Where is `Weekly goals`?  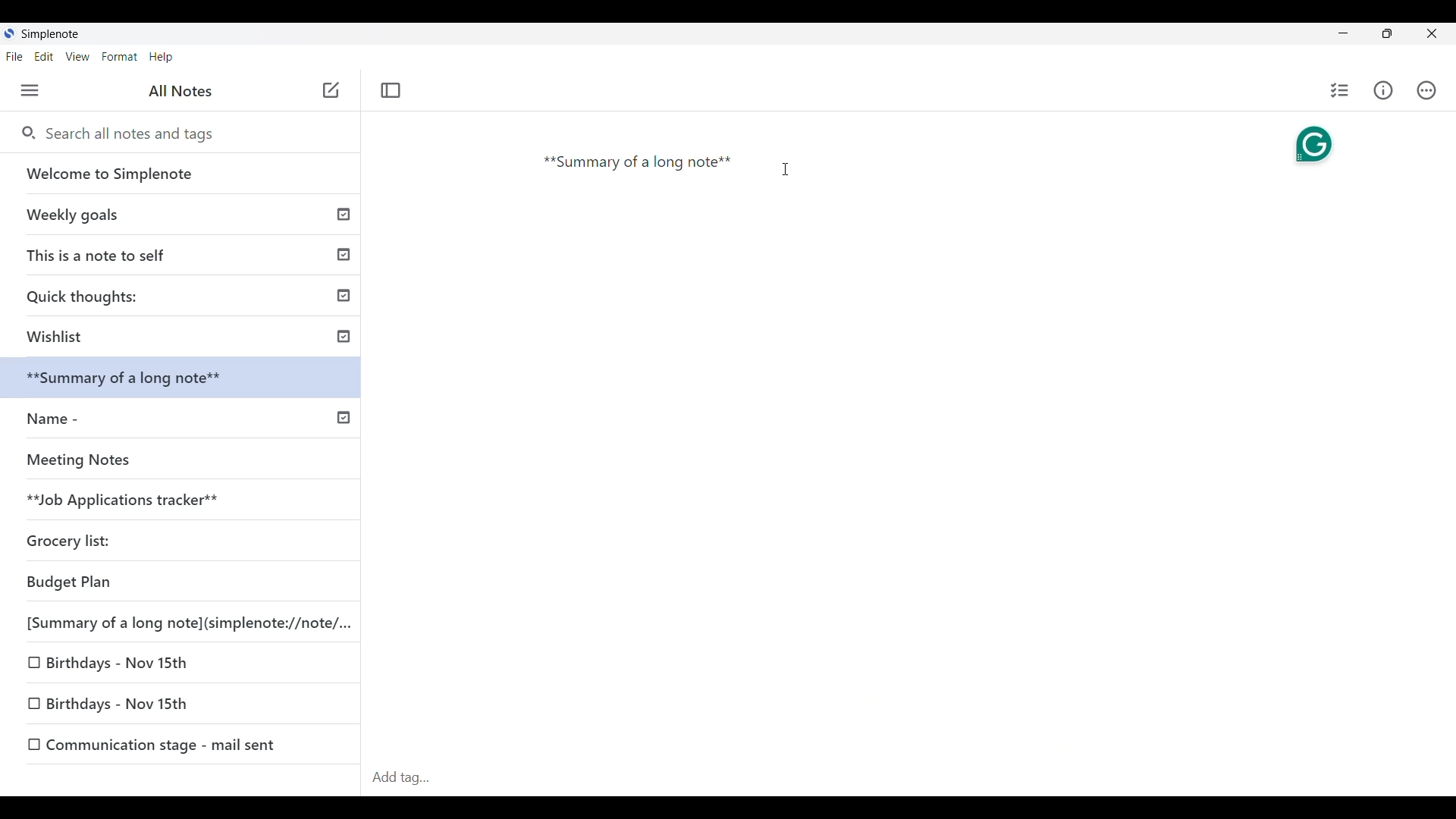
Weekly goals is located at coordinates (181, 214).